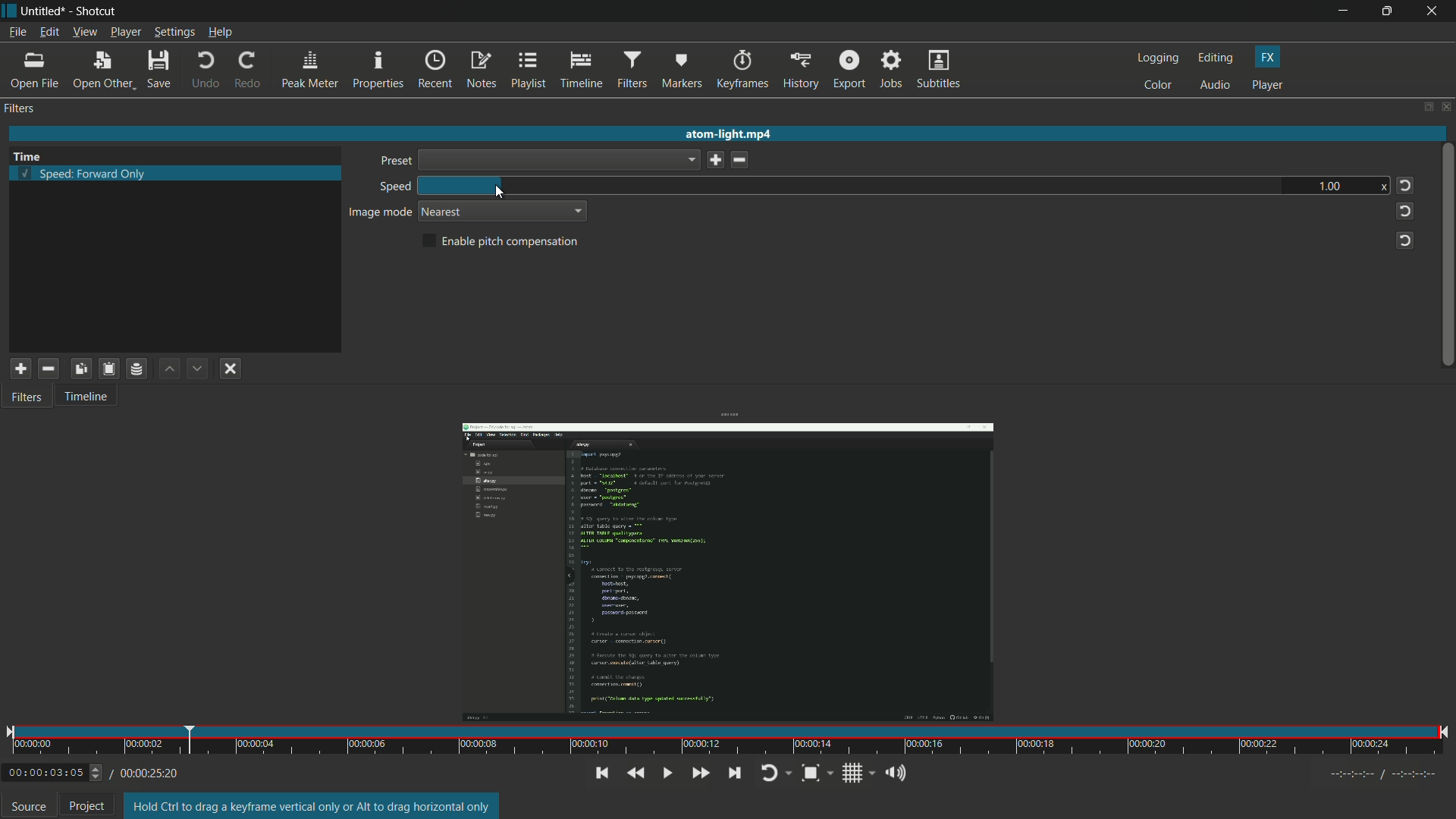 This screenshot has width=1456, height=819. I want to click on vertical scroll bar, so click(1447, 254).